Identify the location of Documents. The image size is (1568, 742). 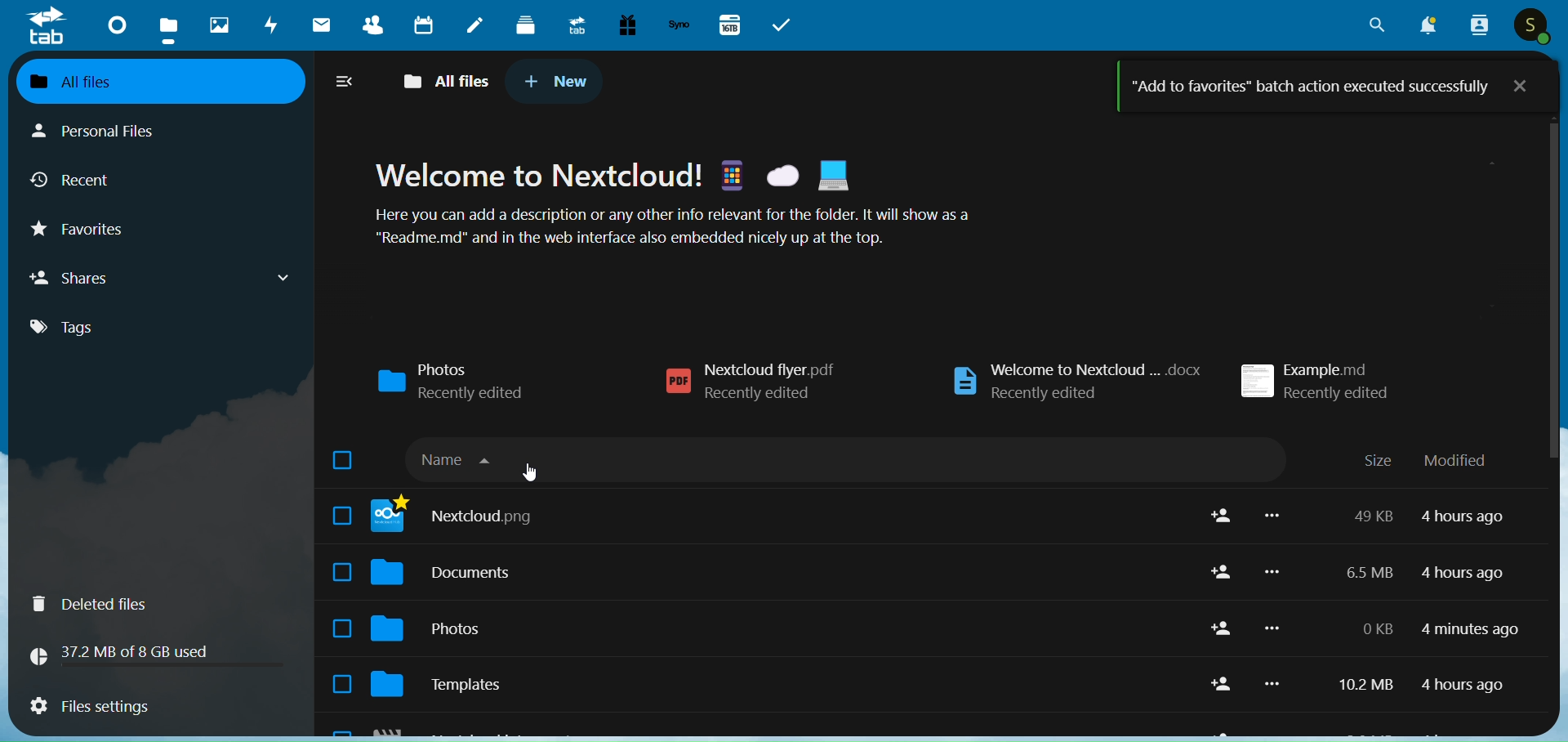
(780, 572).